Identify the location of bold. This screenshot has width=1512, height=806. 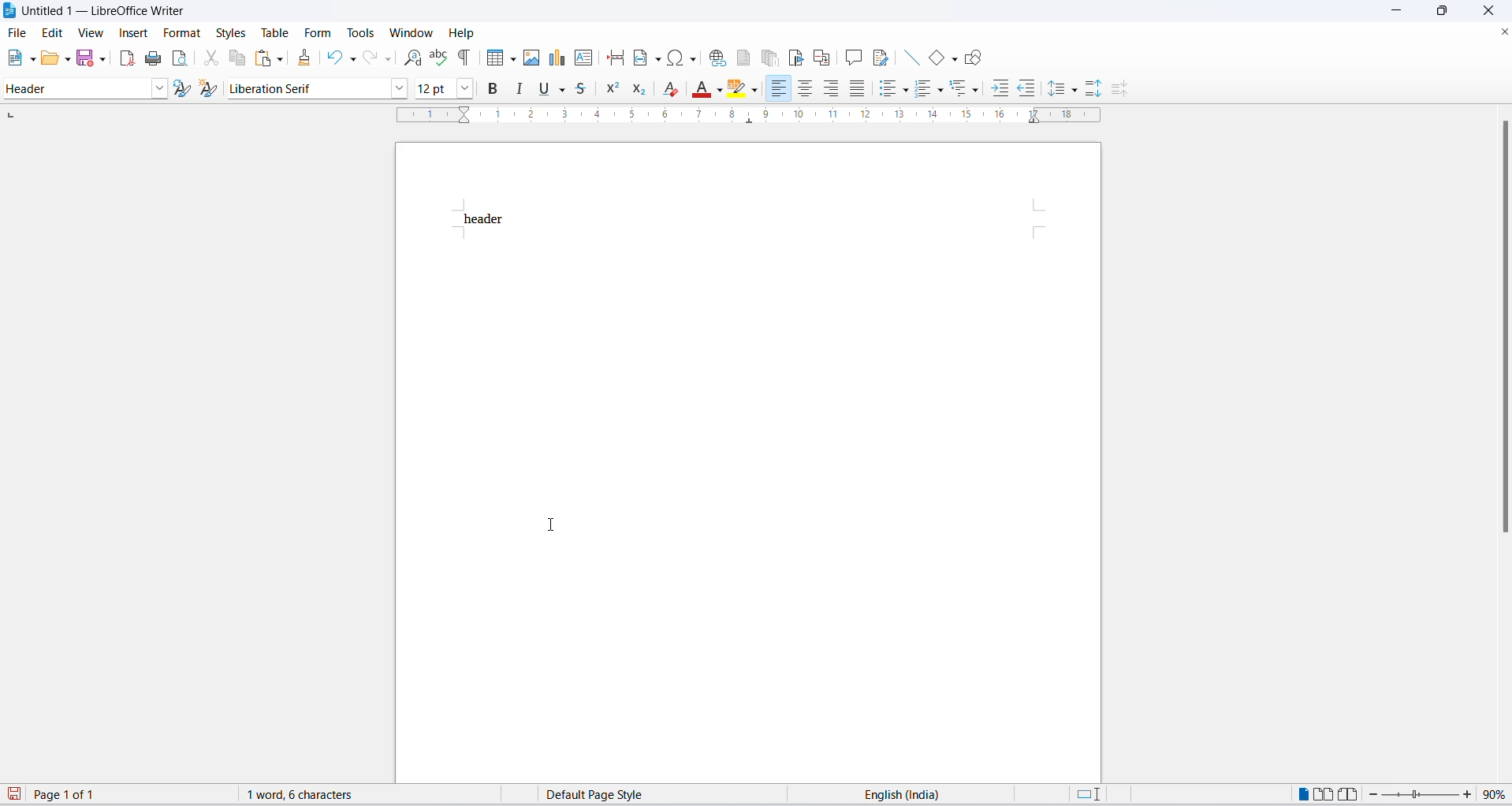
(496, 91).